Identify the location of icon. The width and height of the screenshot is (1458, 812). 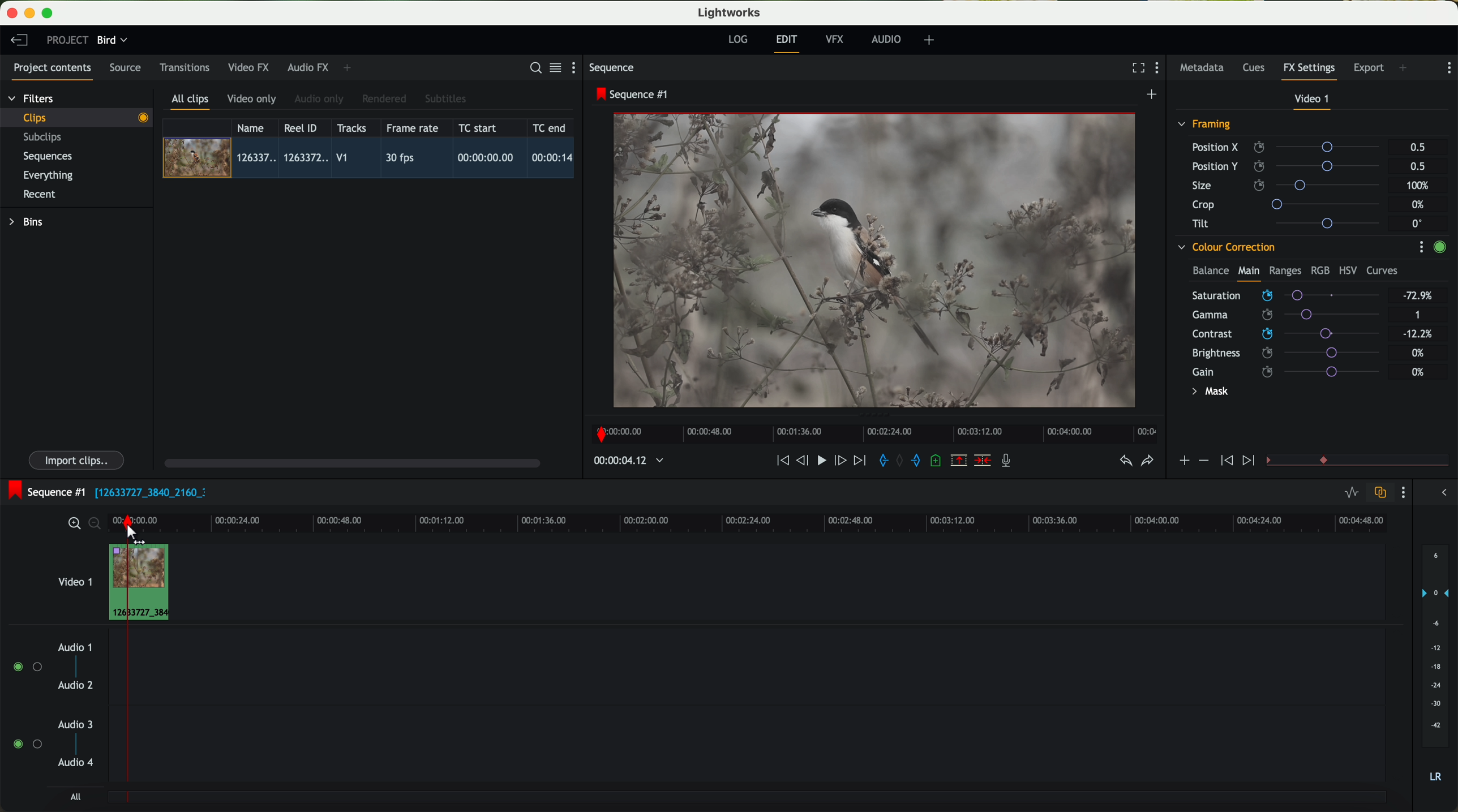
(1225, 461).